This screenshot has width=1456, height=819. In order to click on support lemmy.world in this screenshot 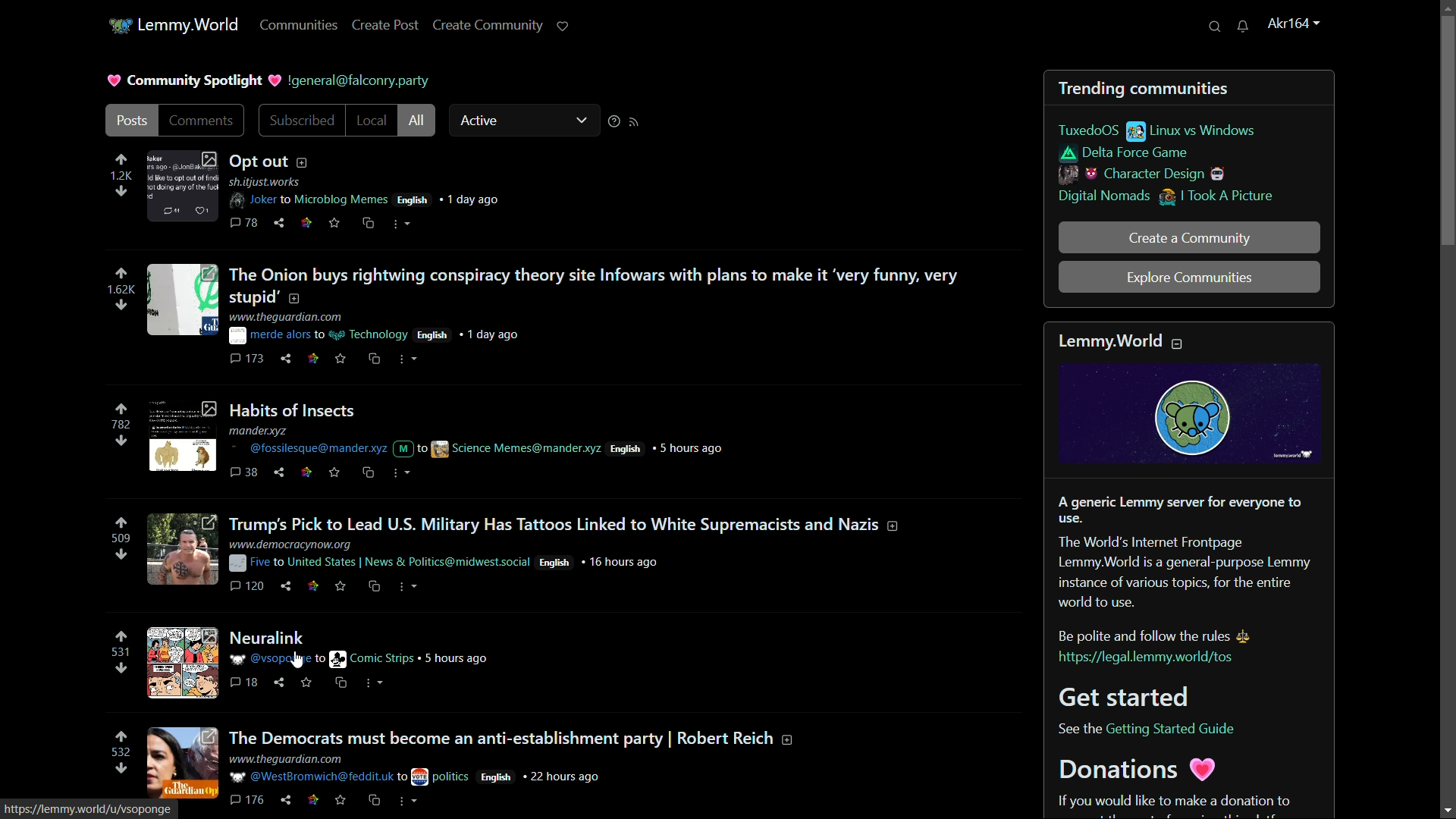, I will do `click(563, 27)`.